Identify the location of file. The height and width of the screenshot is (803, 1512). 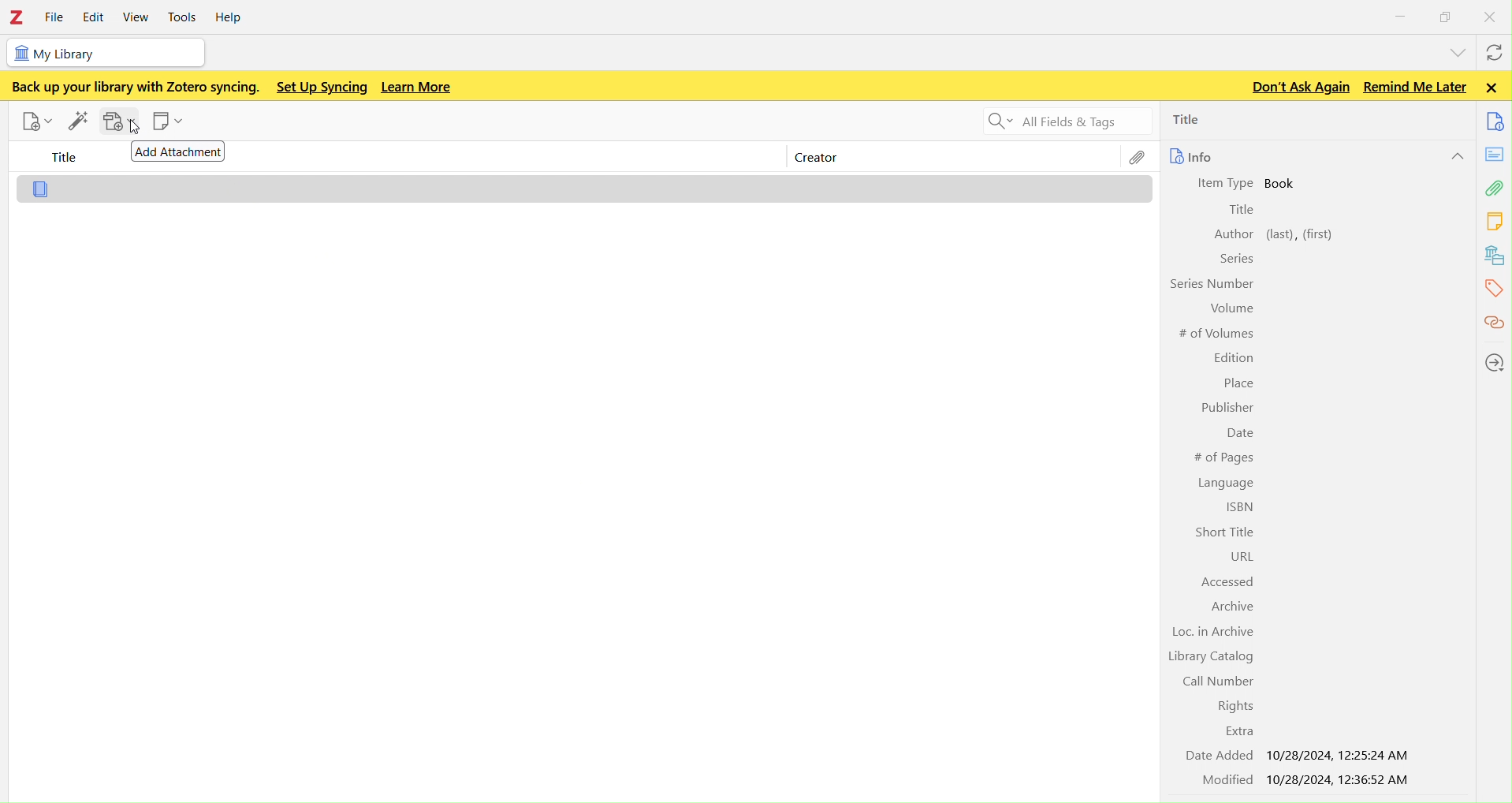
(55, 17).